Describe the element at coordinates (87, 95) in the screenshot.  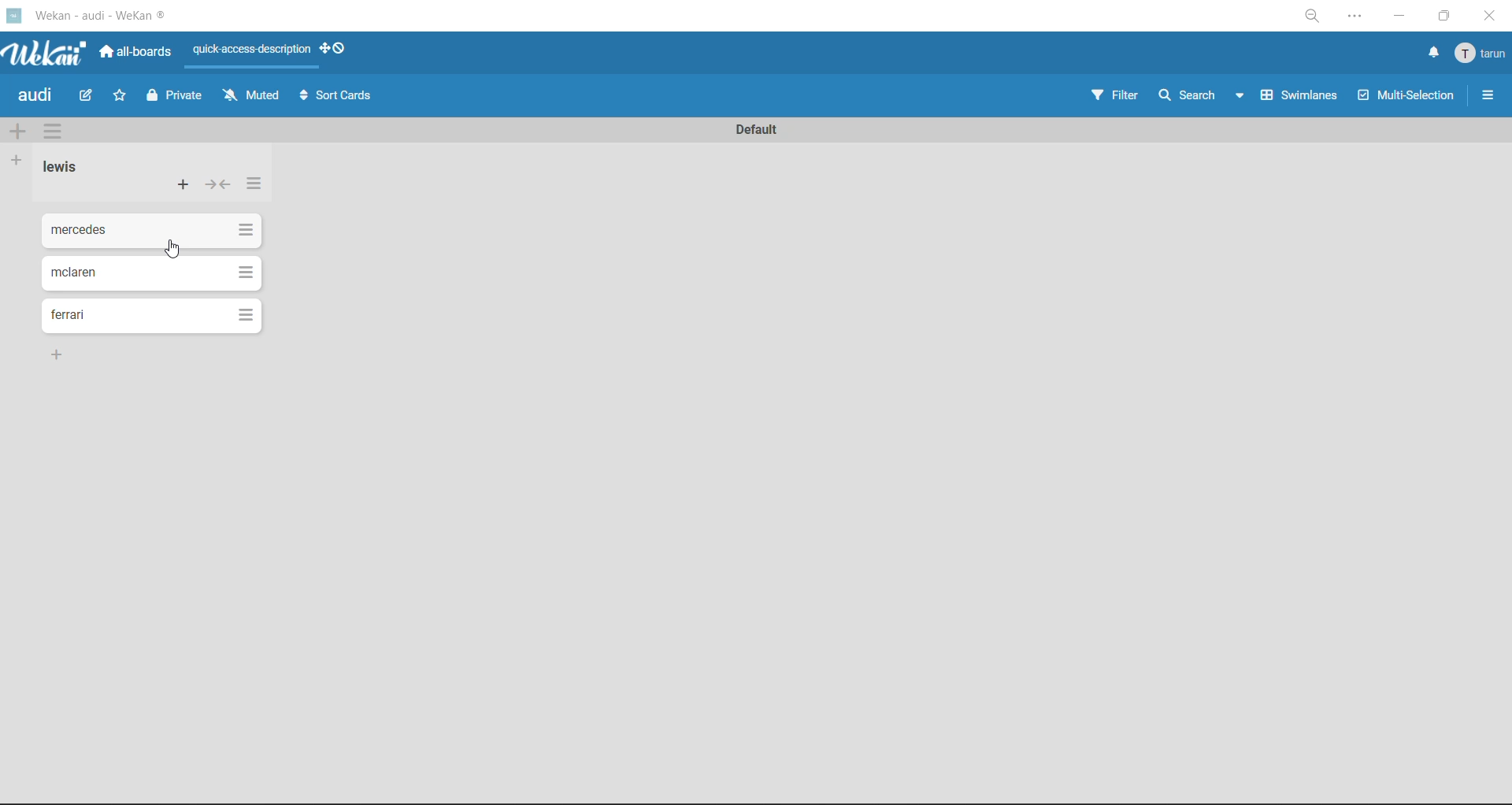
I see `edit` at that location.